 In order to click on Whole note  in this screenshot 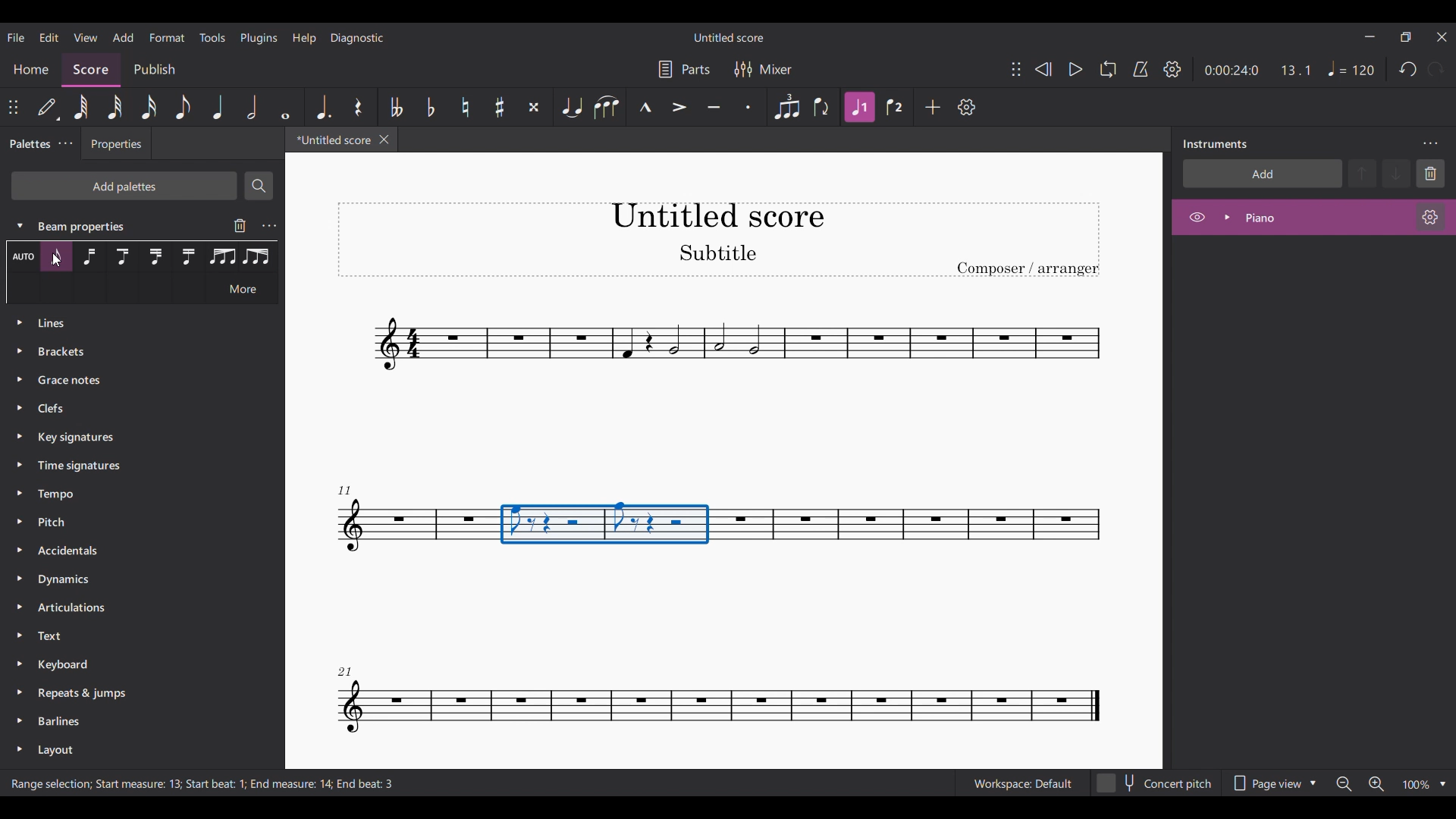, I will do `click(285, 106)`.